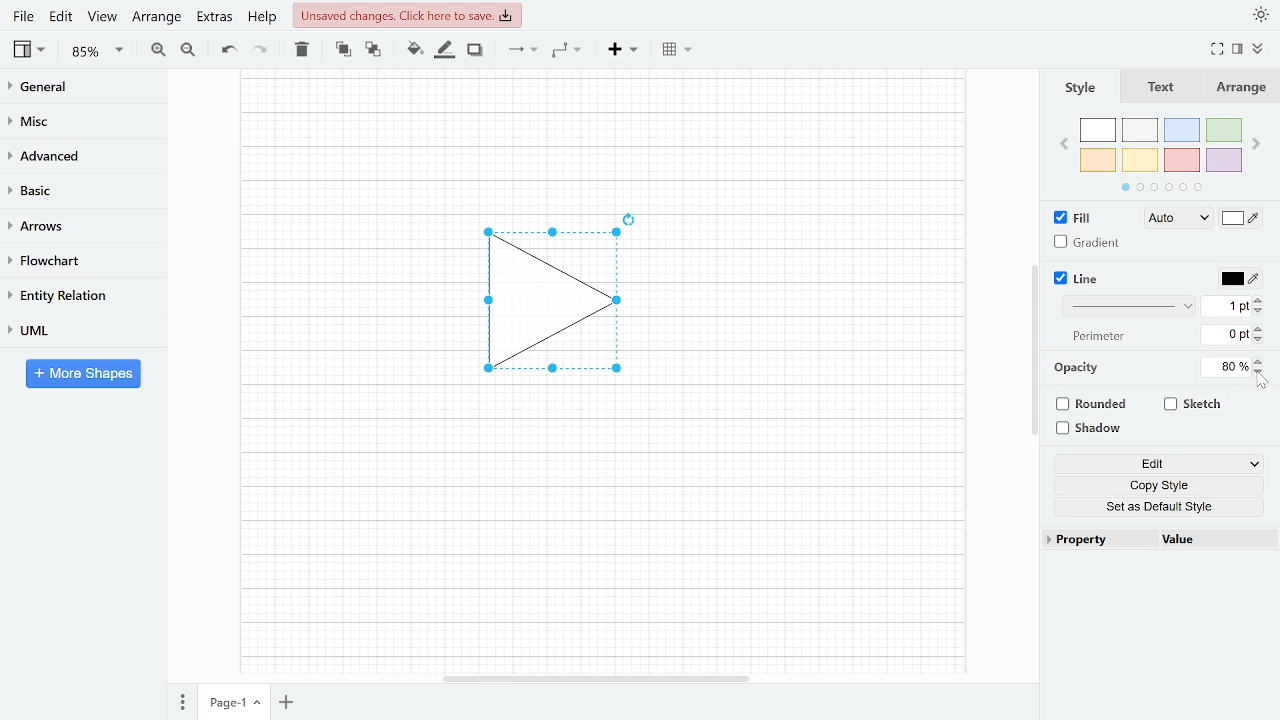 Image resolution: width=1280 pixels, height=720 pixels. Describe the element at coordinates (98, 51) in the screenshot. I see `Zoom` at that location.